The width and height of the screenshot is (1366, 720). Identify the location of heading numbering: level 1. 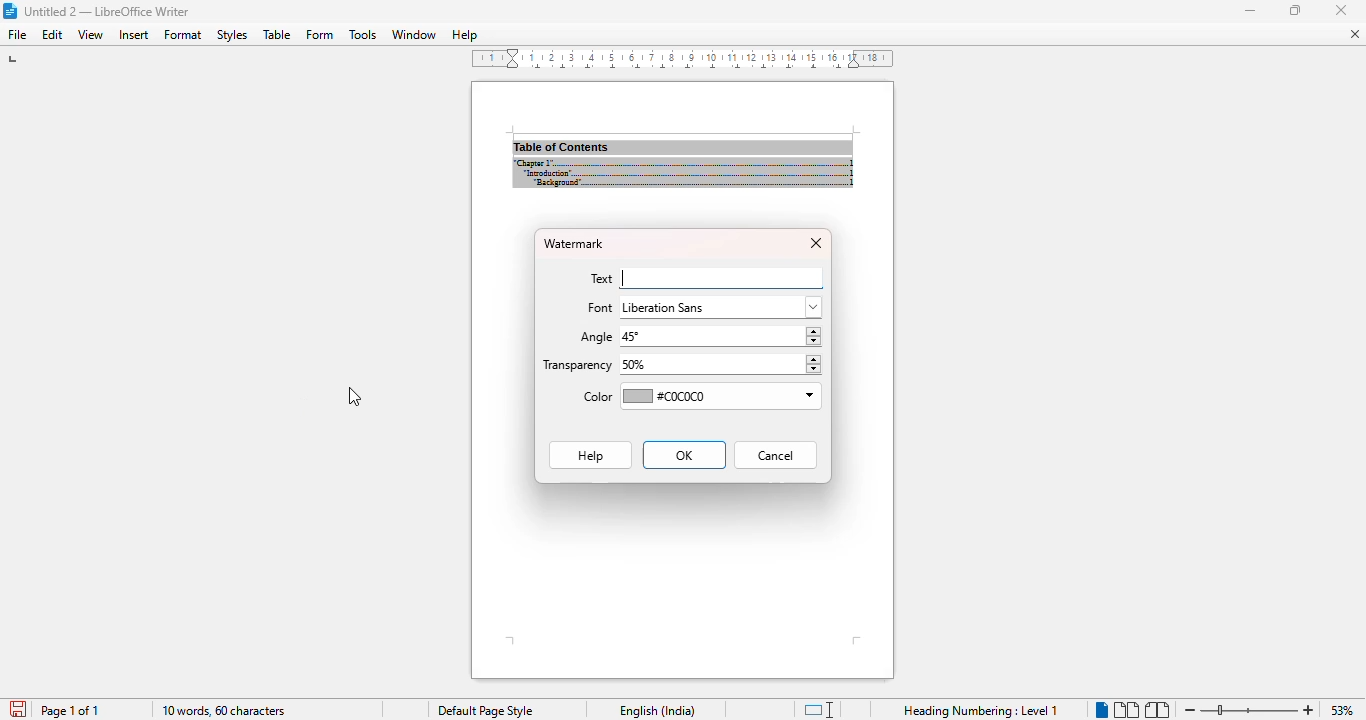
(982, 711).